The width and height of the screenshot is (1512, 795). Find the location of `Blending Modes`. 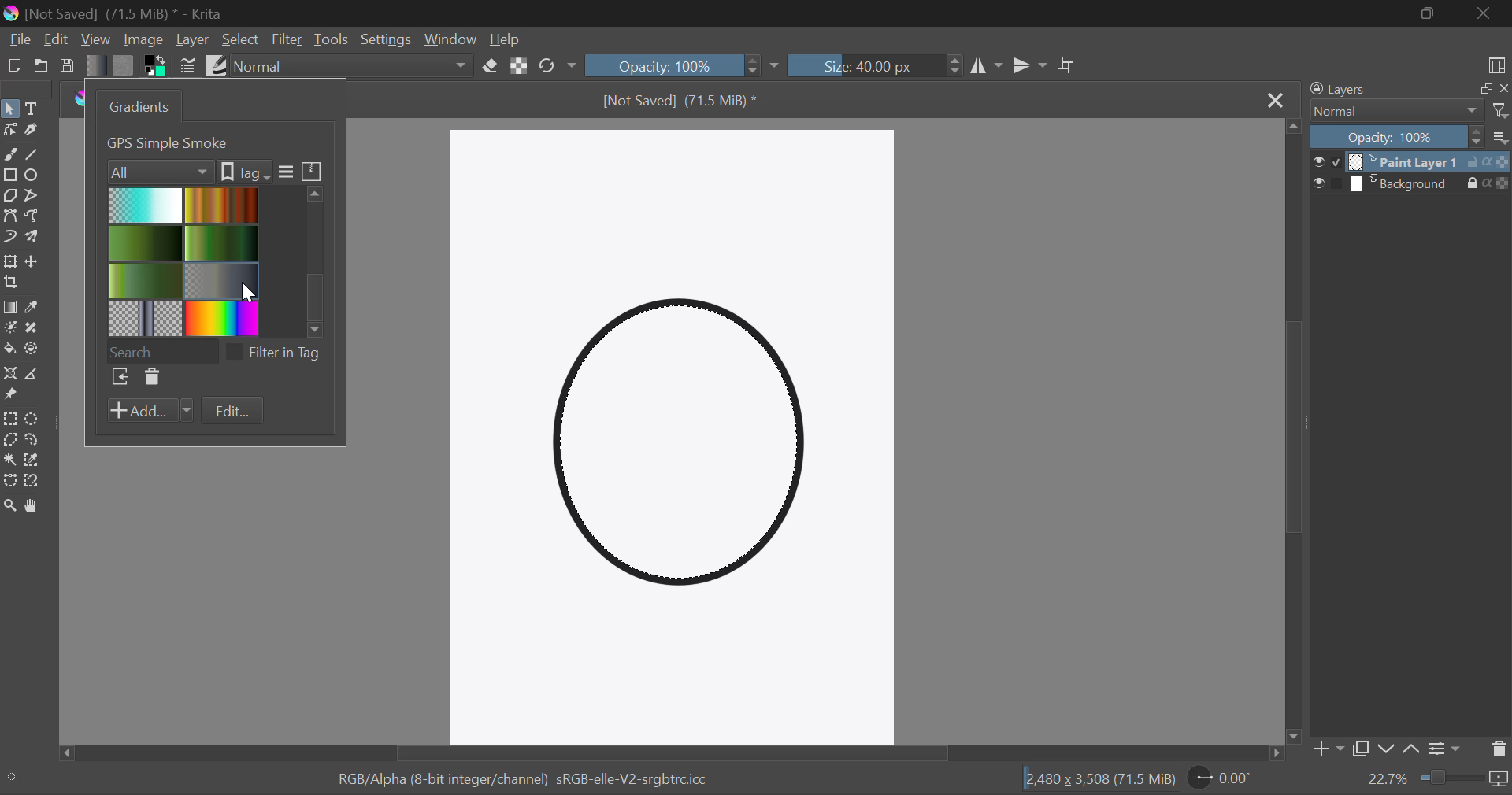

Blending Modes is located at coordinates (350, 65).